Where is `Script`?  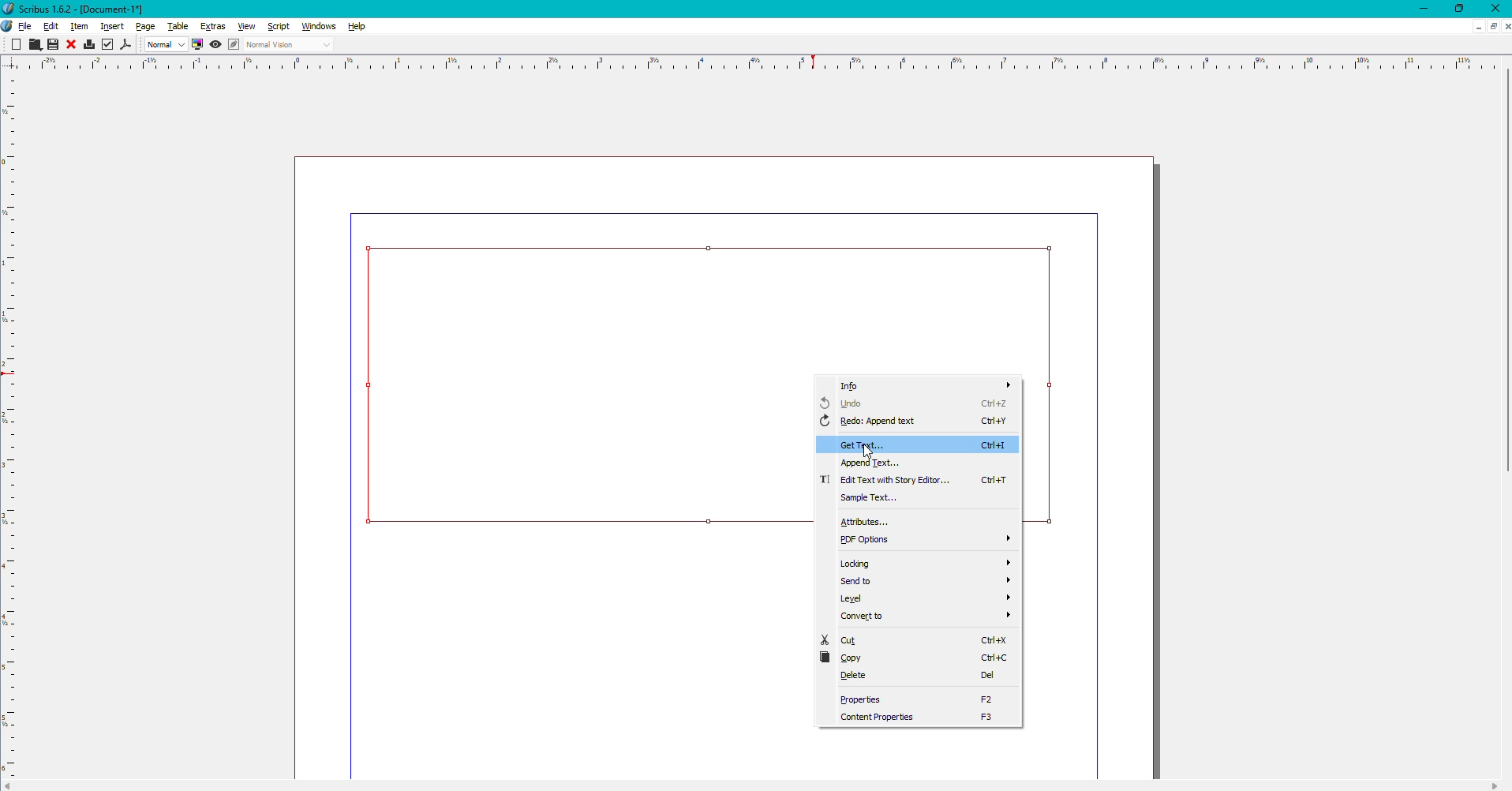
Script is located at coordinates (278, 27).